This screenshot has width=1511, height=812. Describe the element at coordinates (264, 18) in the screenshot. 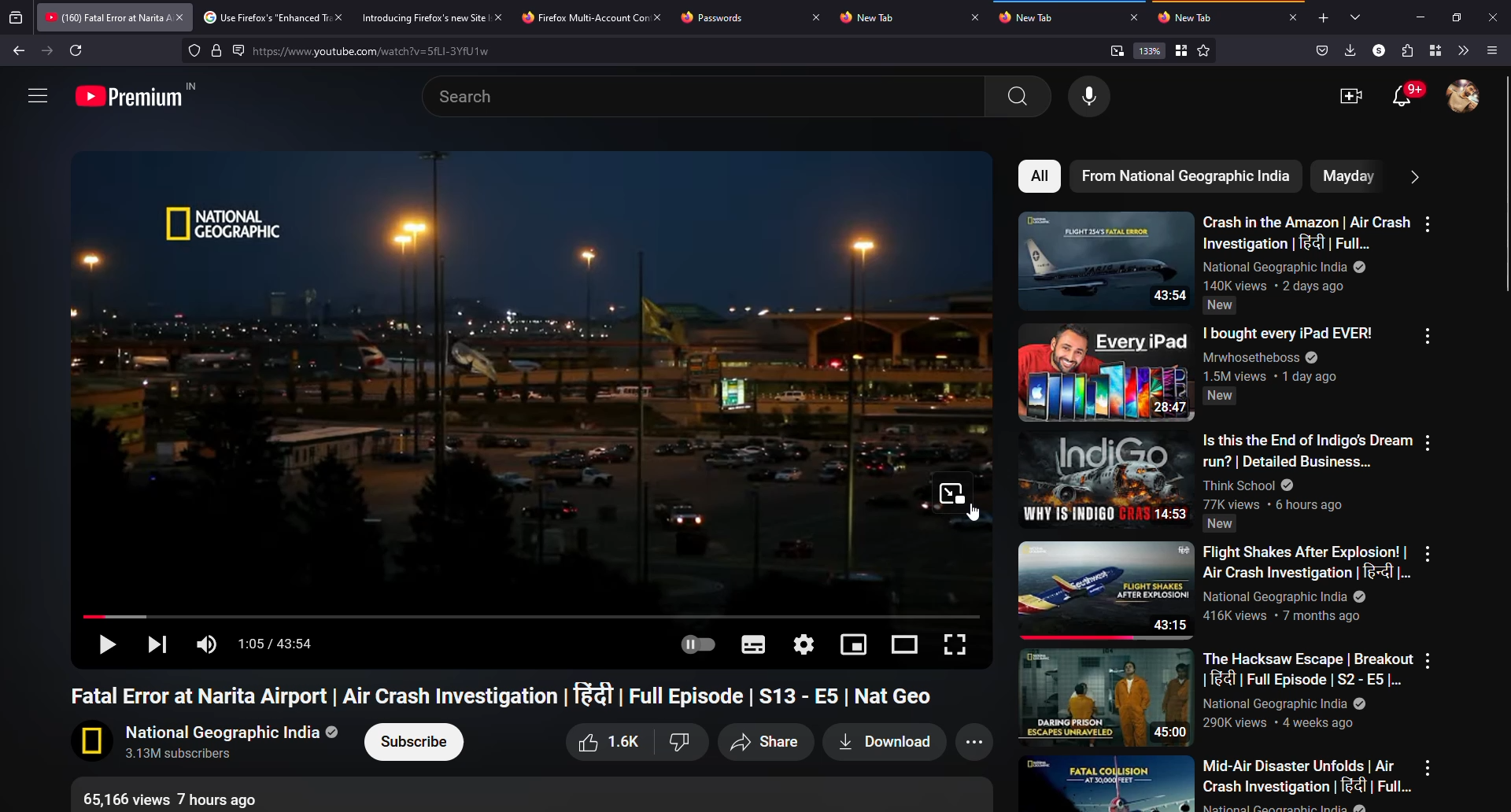

I see `Use Firefox tab` at that location.